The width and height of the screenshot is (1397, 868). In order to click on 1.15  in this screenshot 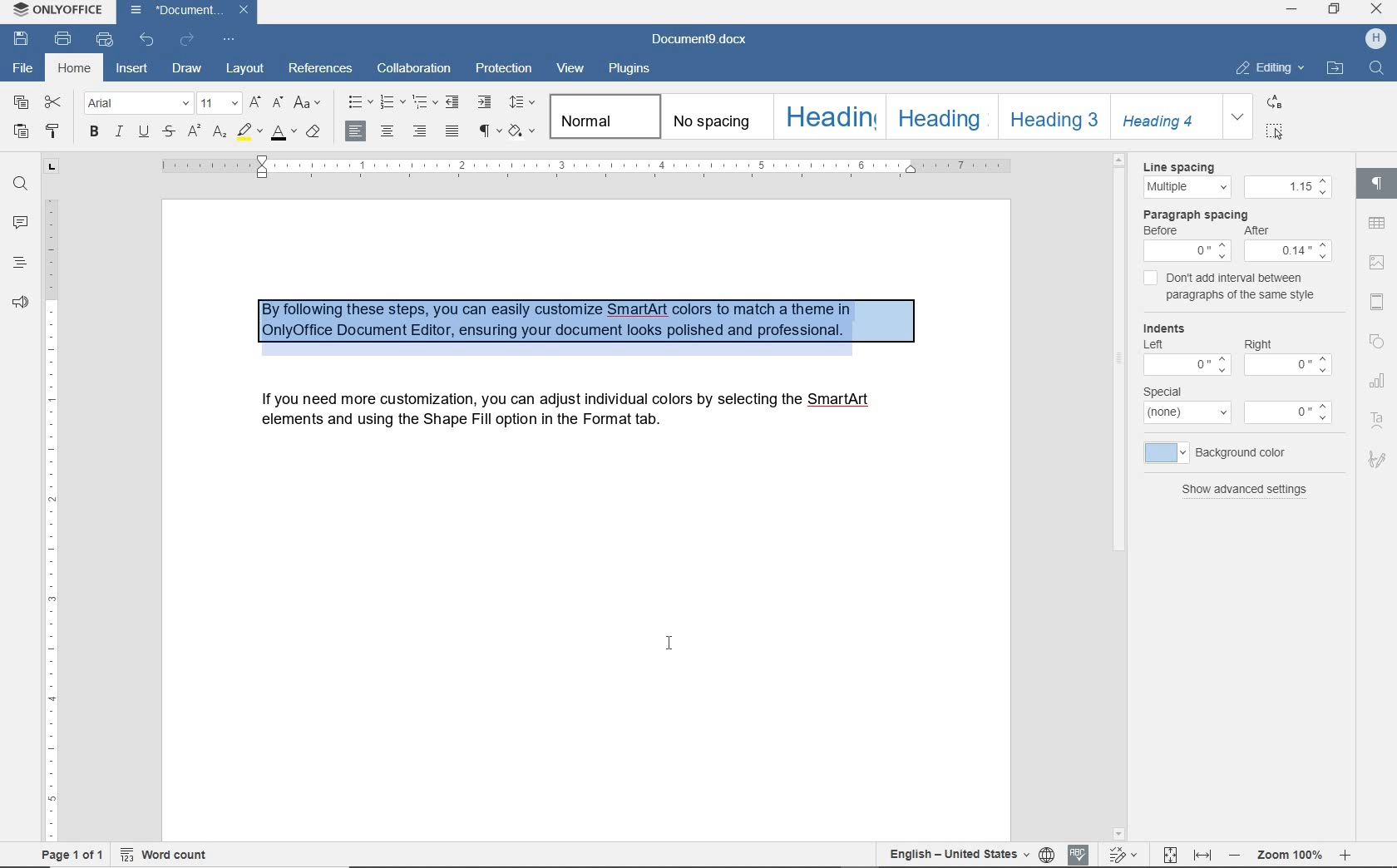, I will do `click(1287, 187)`.